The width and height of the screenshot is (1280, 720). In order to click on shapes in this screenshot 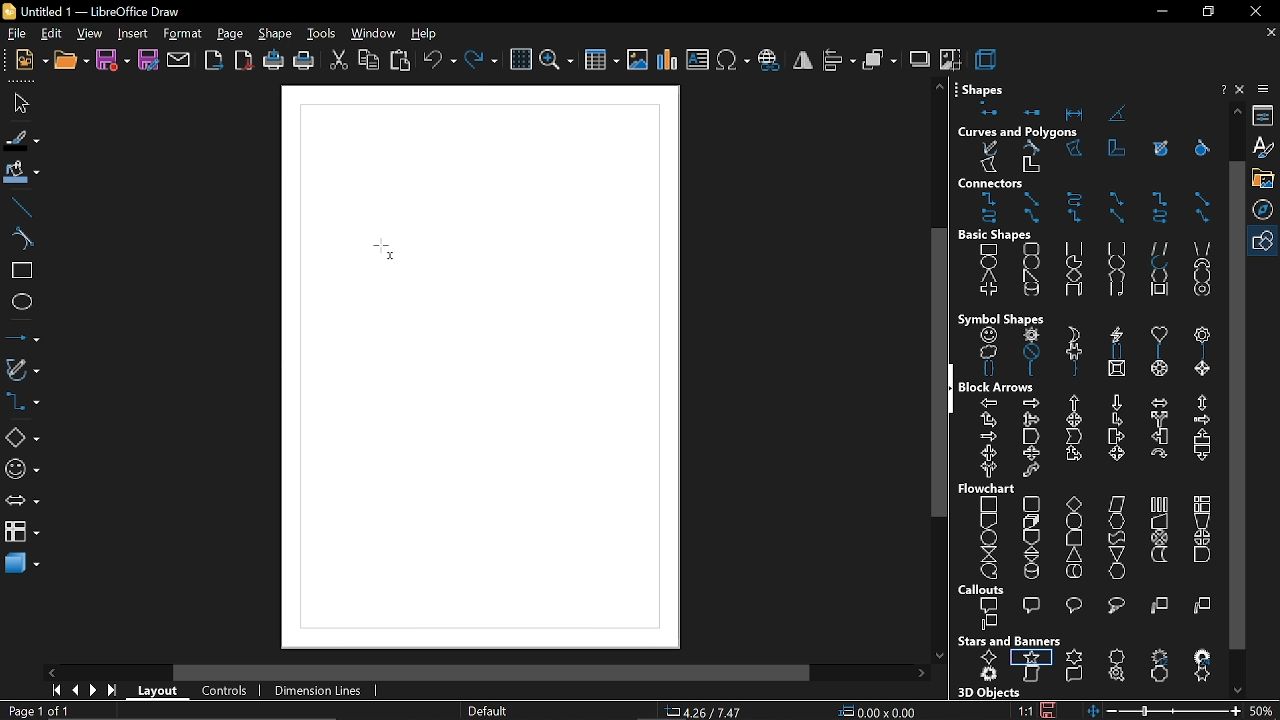, I will do `click(1091, 112)`.